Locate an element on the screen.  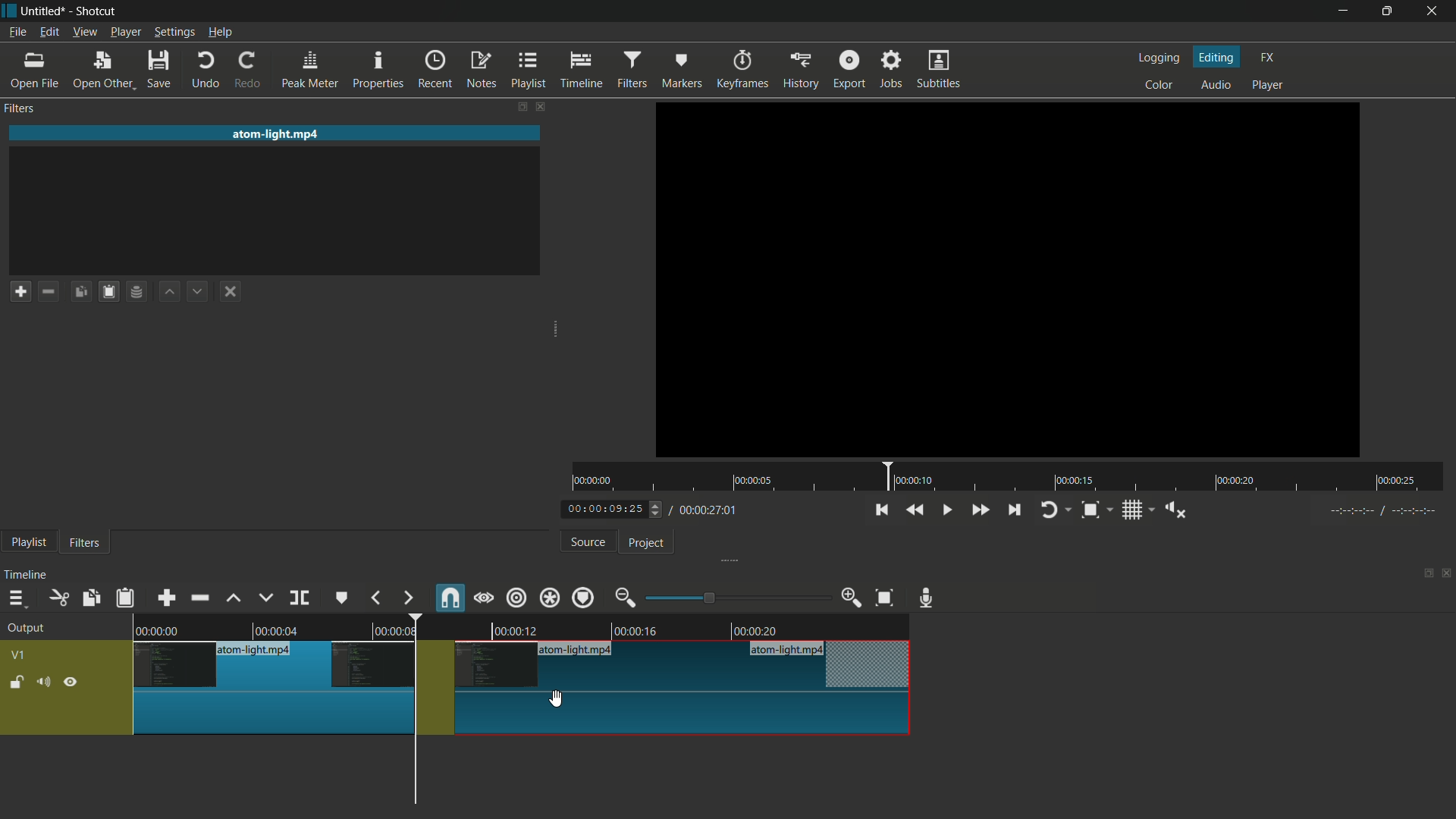
v1 is located at coordinates (17, 655).